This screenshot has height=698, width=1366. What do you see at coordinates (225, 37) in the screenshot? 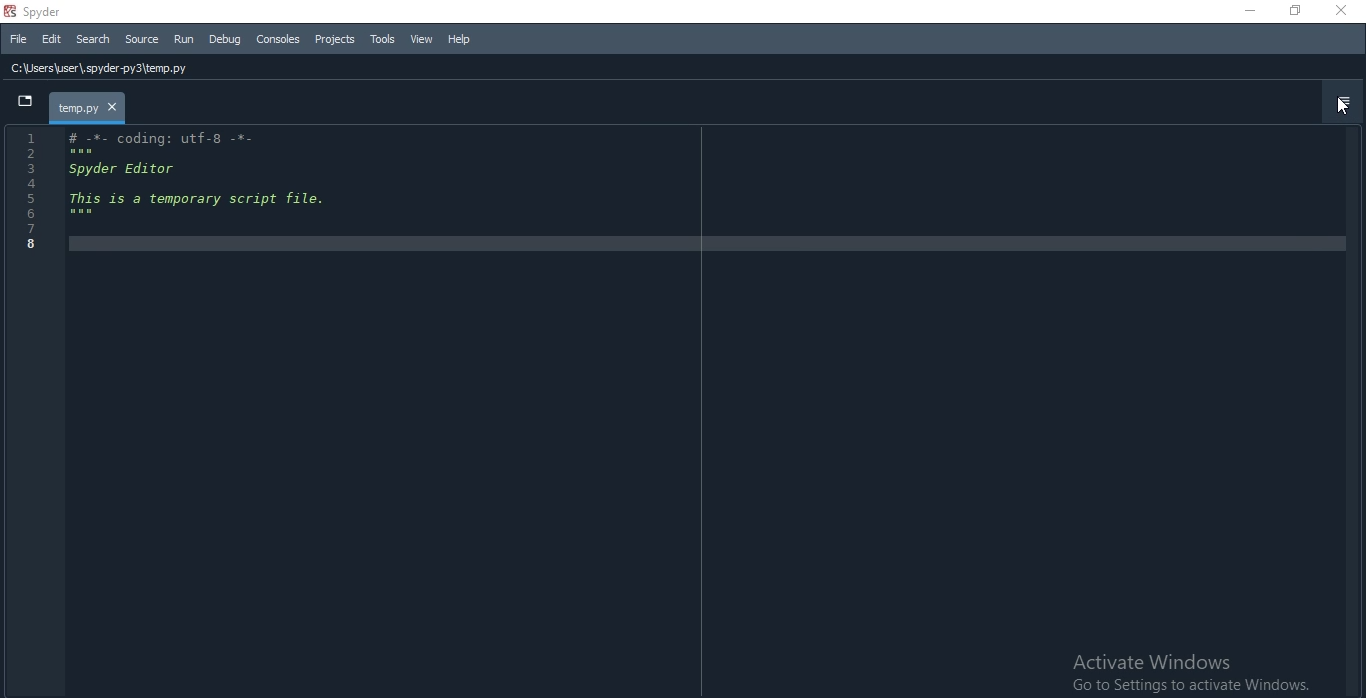
I see `Debug` at bounding box center [225, 37].